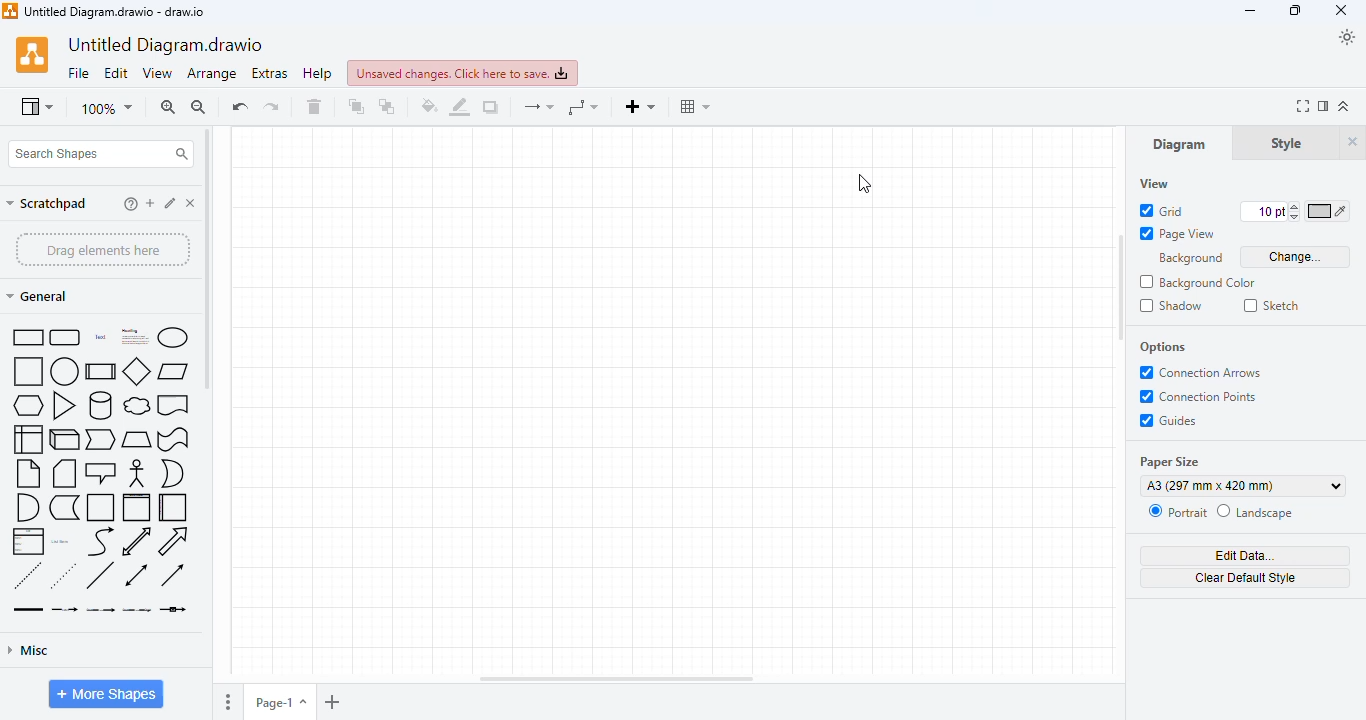 This screenshot has height=720, width=1366. I want to click on help, so click(131, 204).